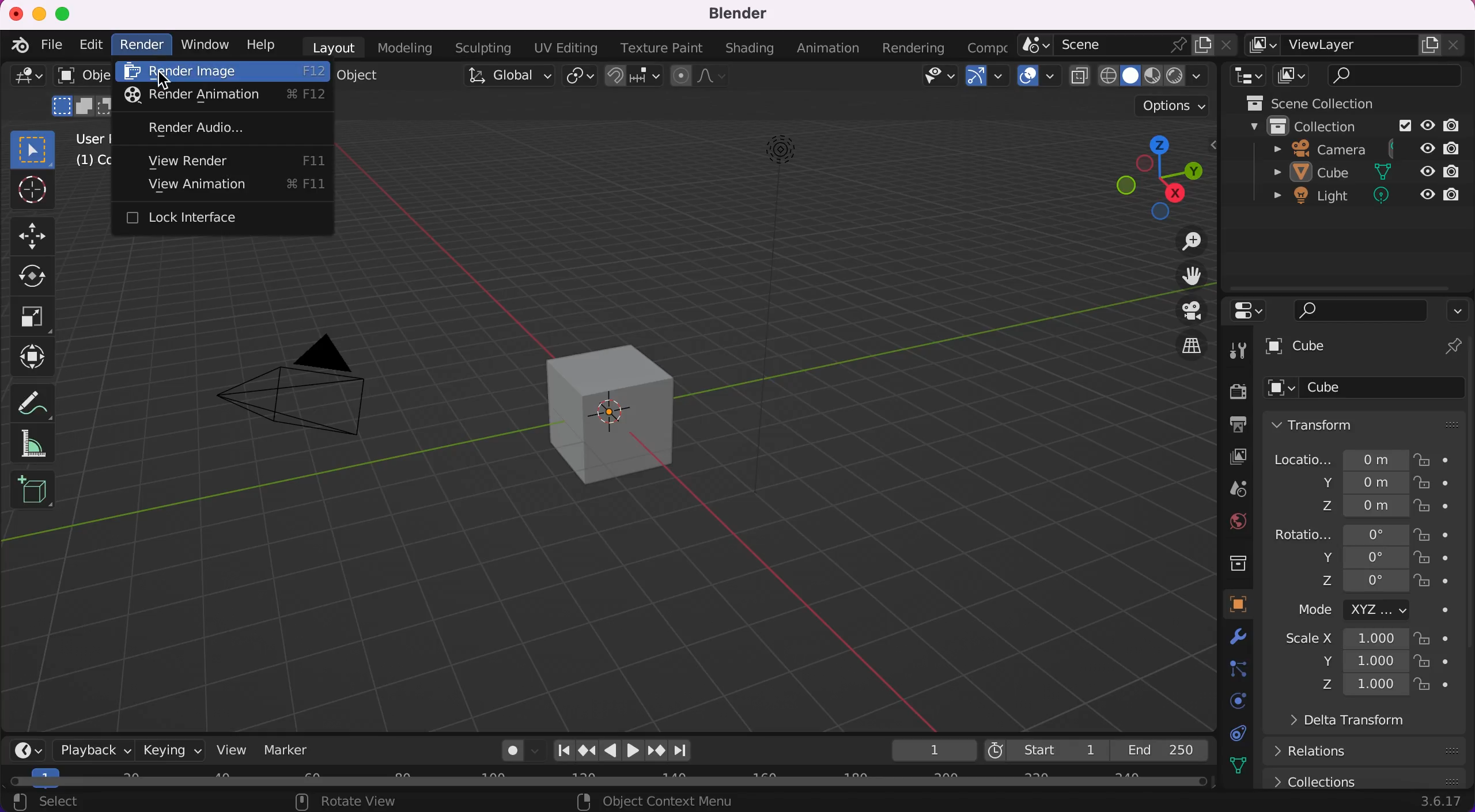  Describe the element at coordinates (1235, 765) in the screenshot. I see `data` at that location.